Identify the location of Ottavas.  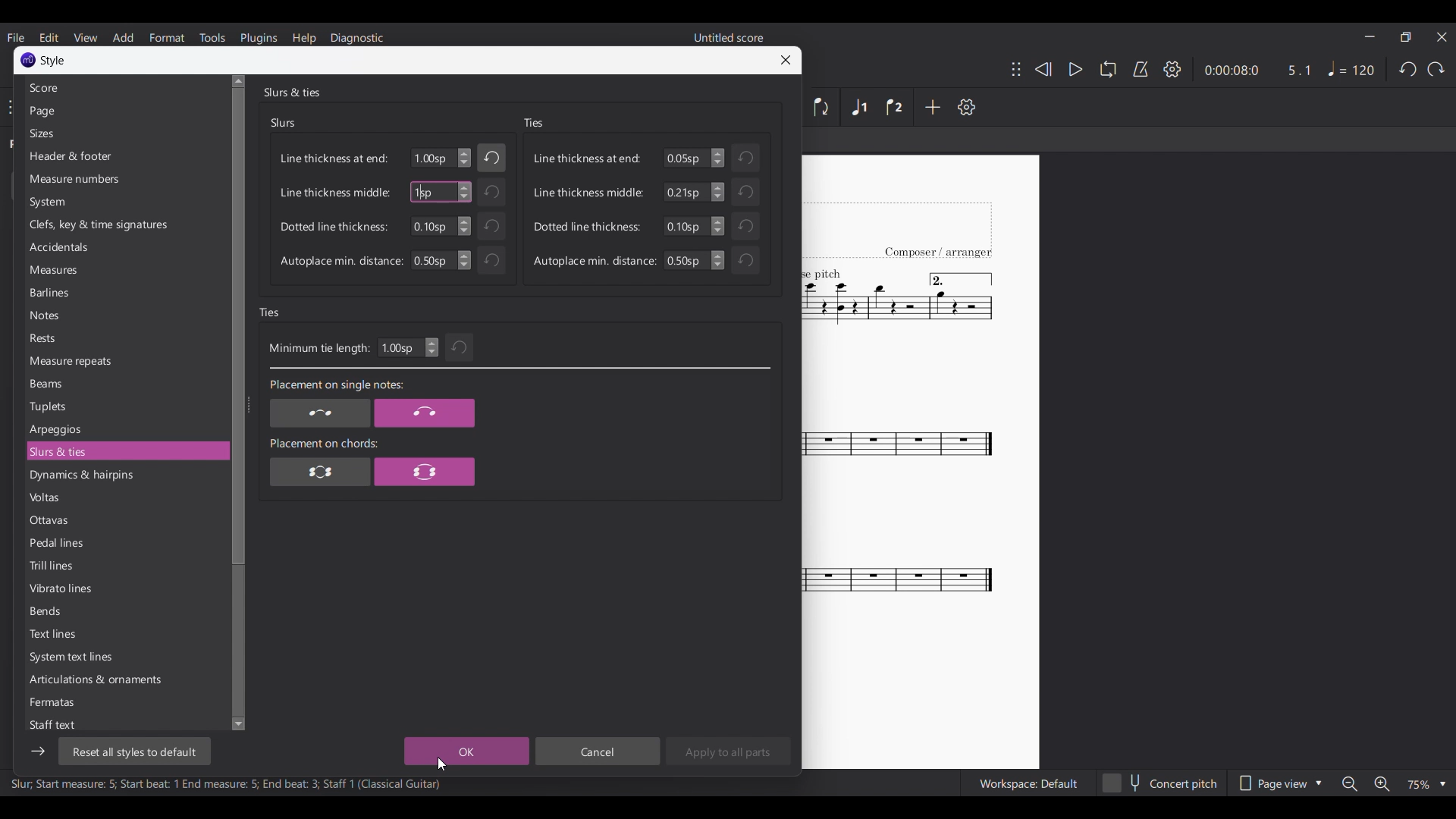
(125, 520).